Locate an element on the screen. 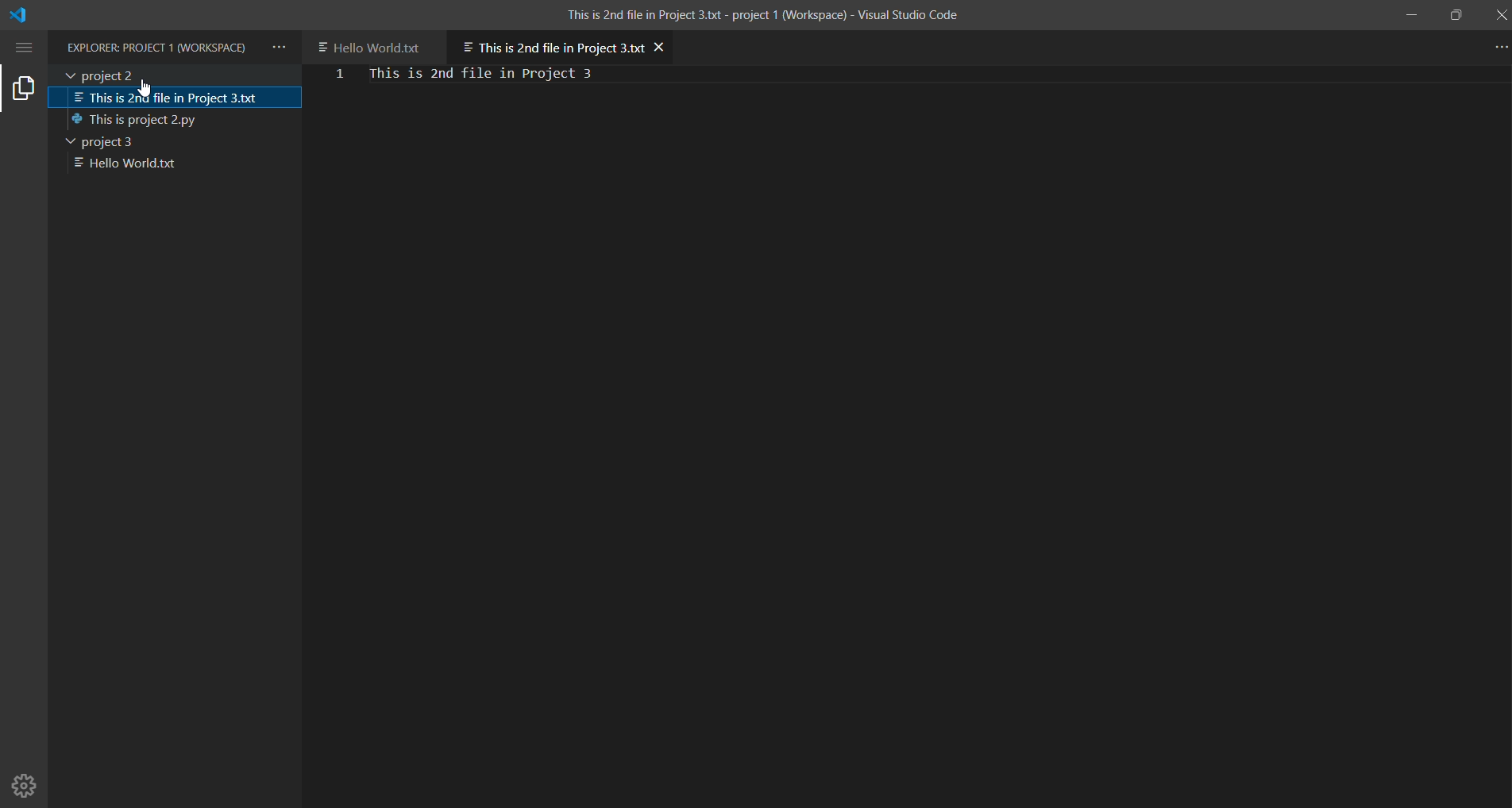 The width and height of the screenshot is (1512, 808). file in project 3 is located at coordinates (148, 165).